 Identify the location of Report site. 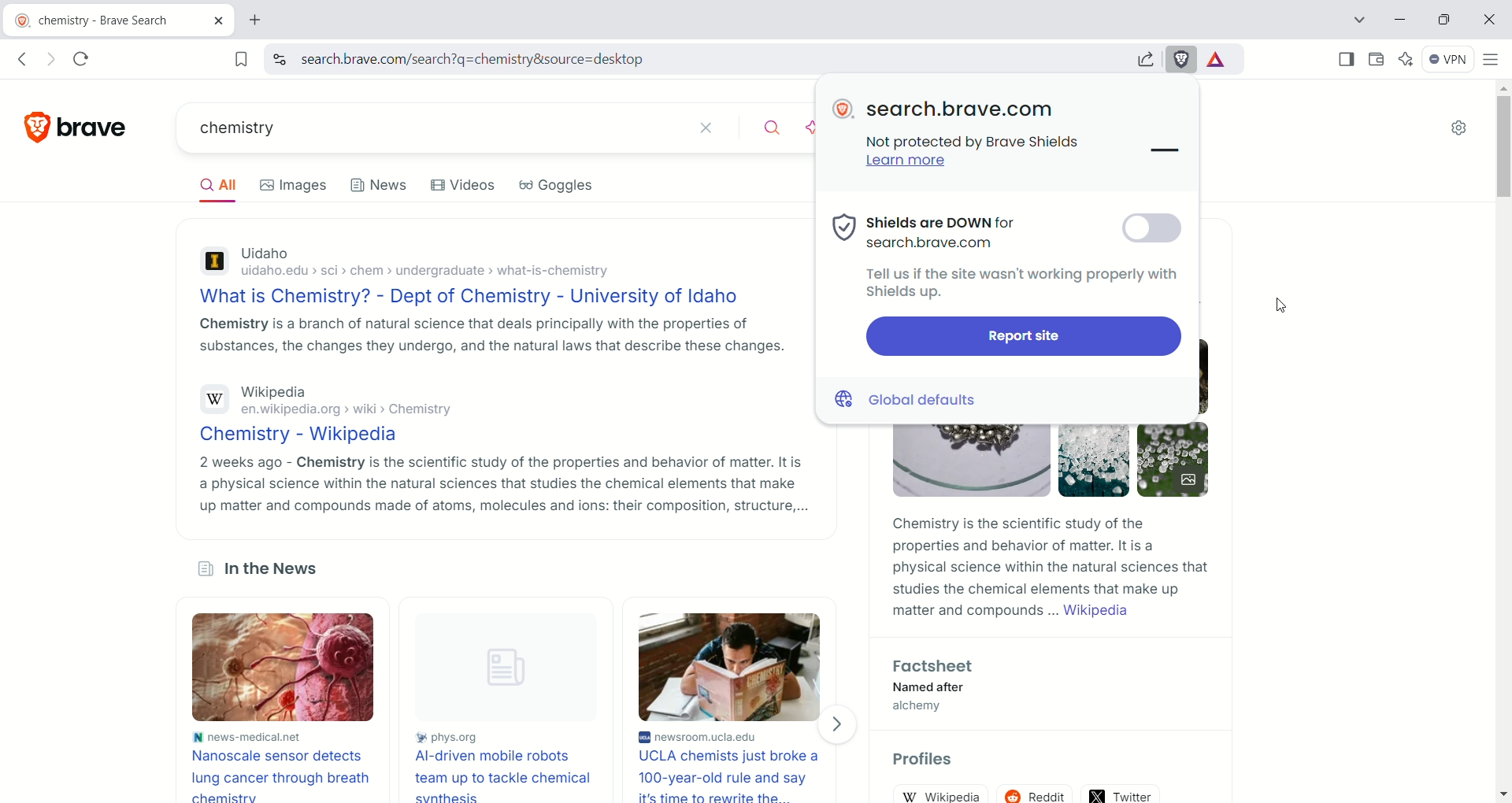
(1022, 337).